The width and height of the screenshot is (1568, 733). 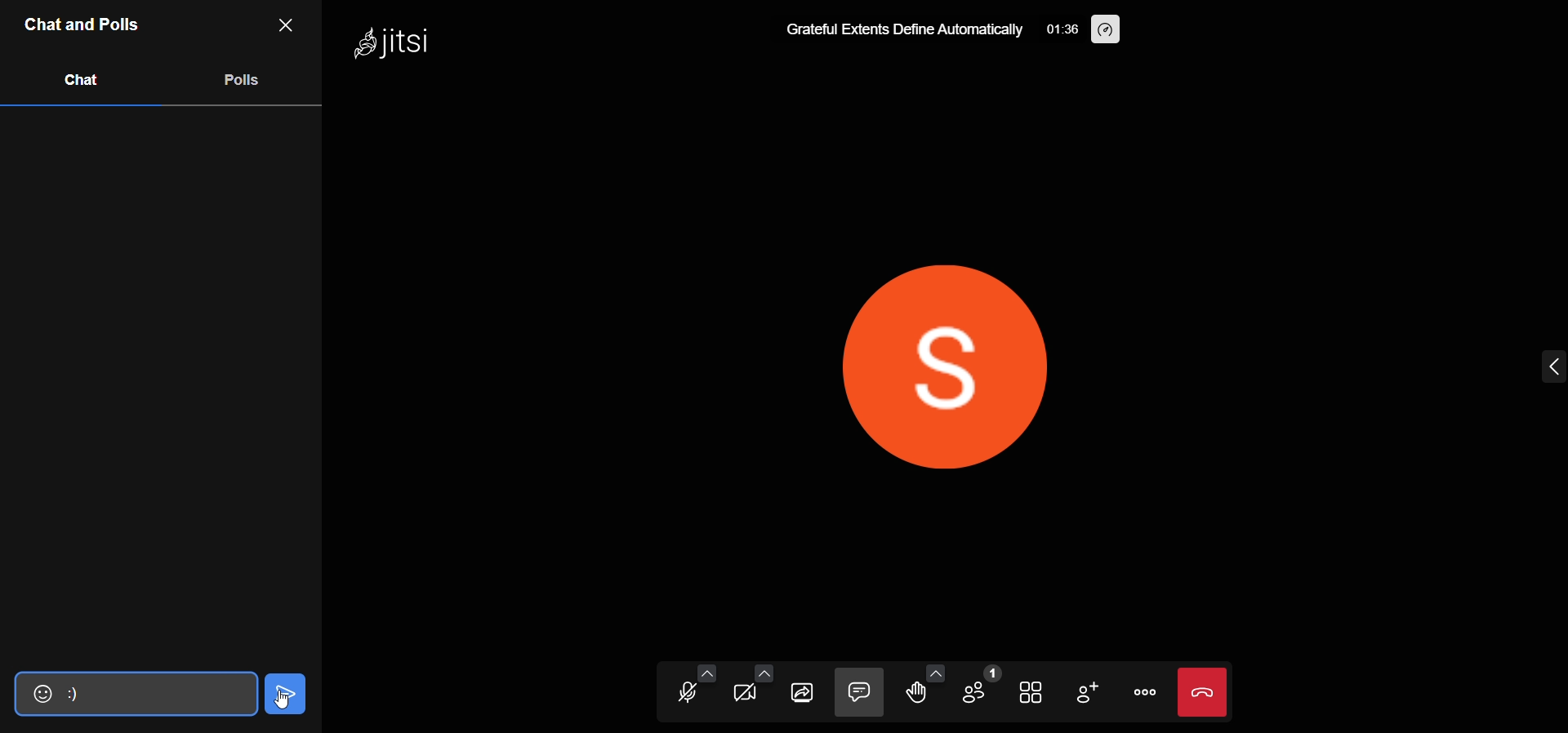 What do you see at coordinates (921, 367) in the screenshot?
I see `display picture` at bounding box center [921, 367].